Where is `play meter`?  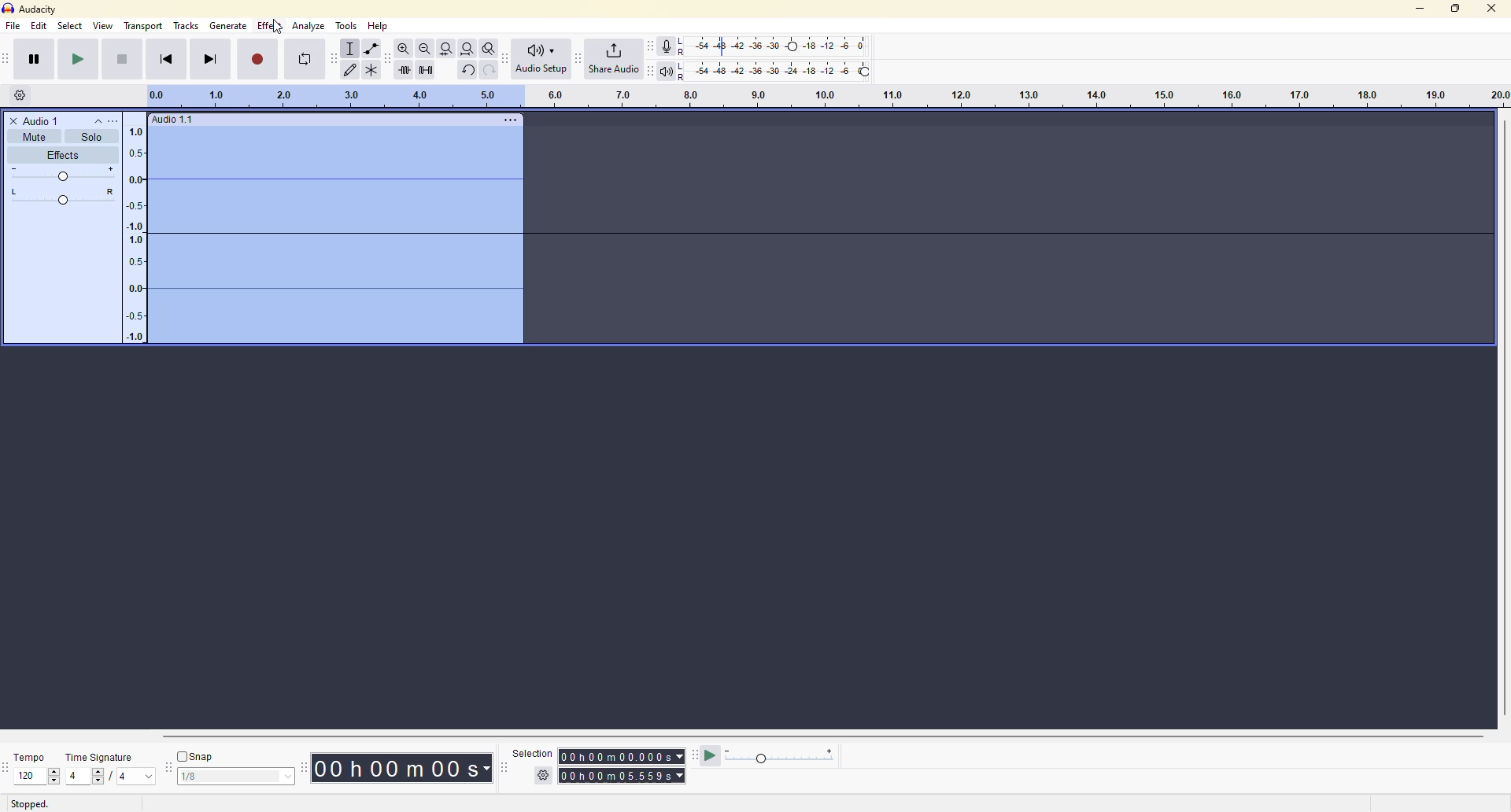
play meter is located at coordinates (781, 757).